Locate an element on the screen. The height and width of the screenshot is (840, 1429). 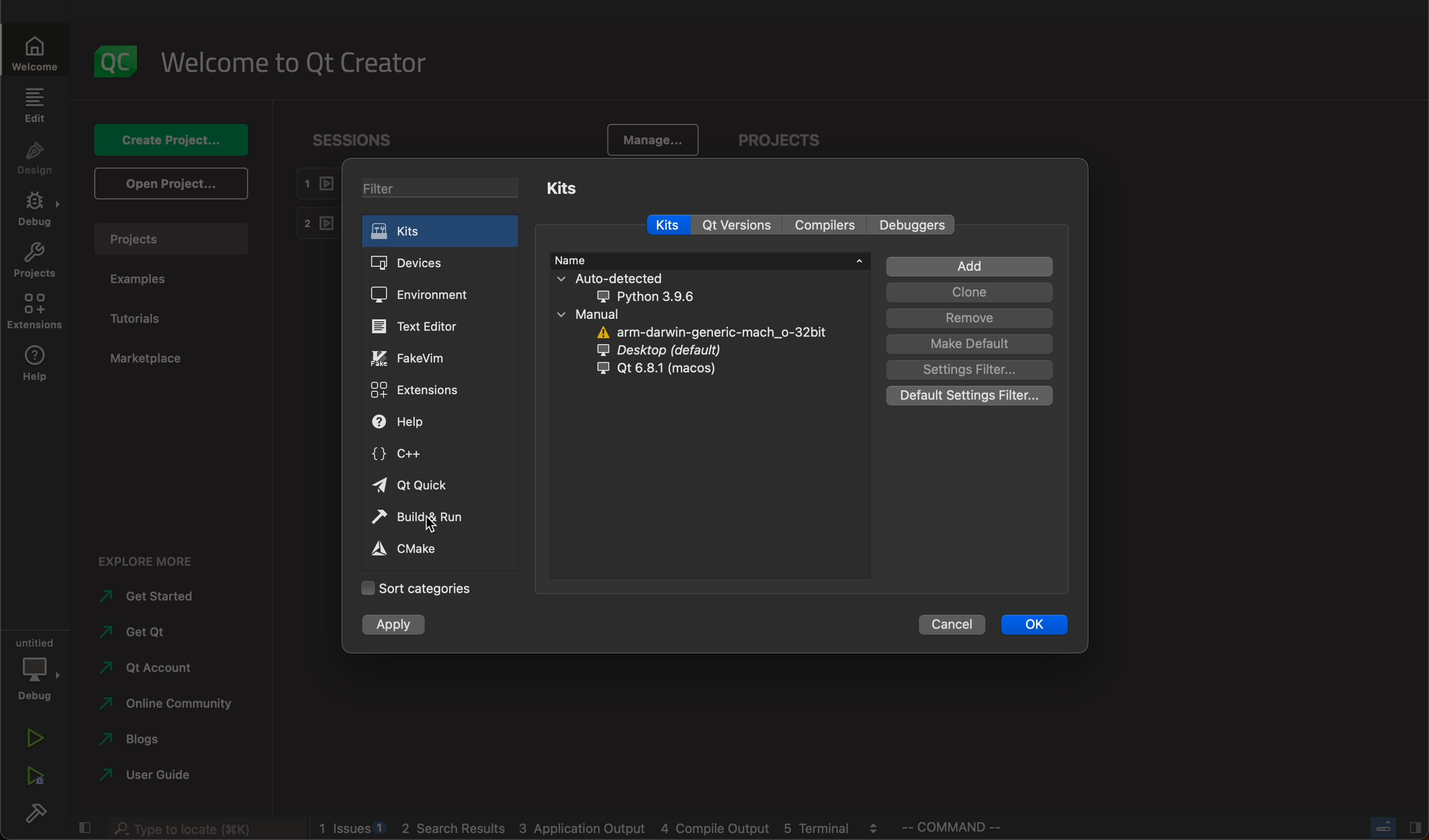
quick is located at coordinates (425, 485).